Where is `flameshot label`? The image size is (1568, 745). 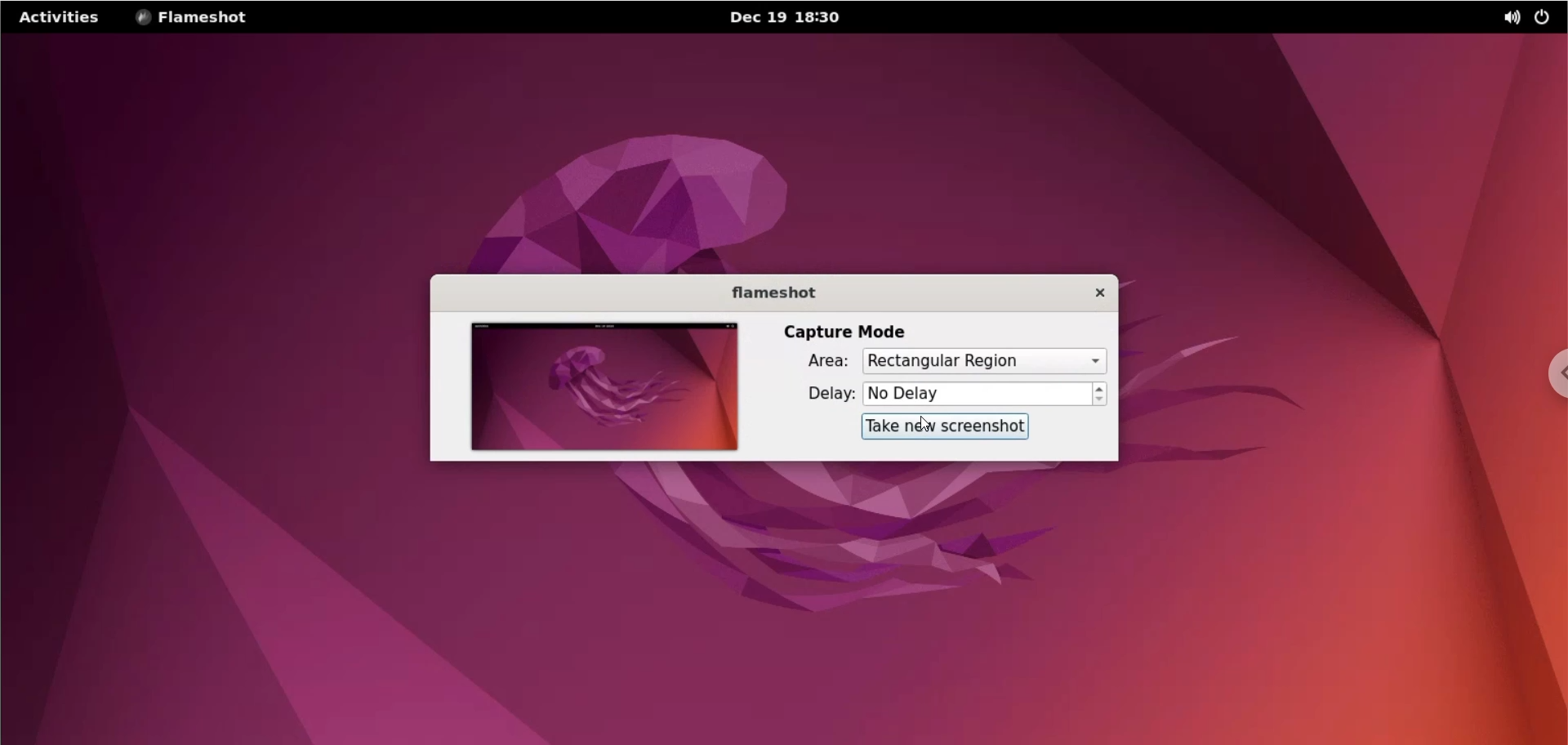 flameshot label is located at coordinates (772, 291).